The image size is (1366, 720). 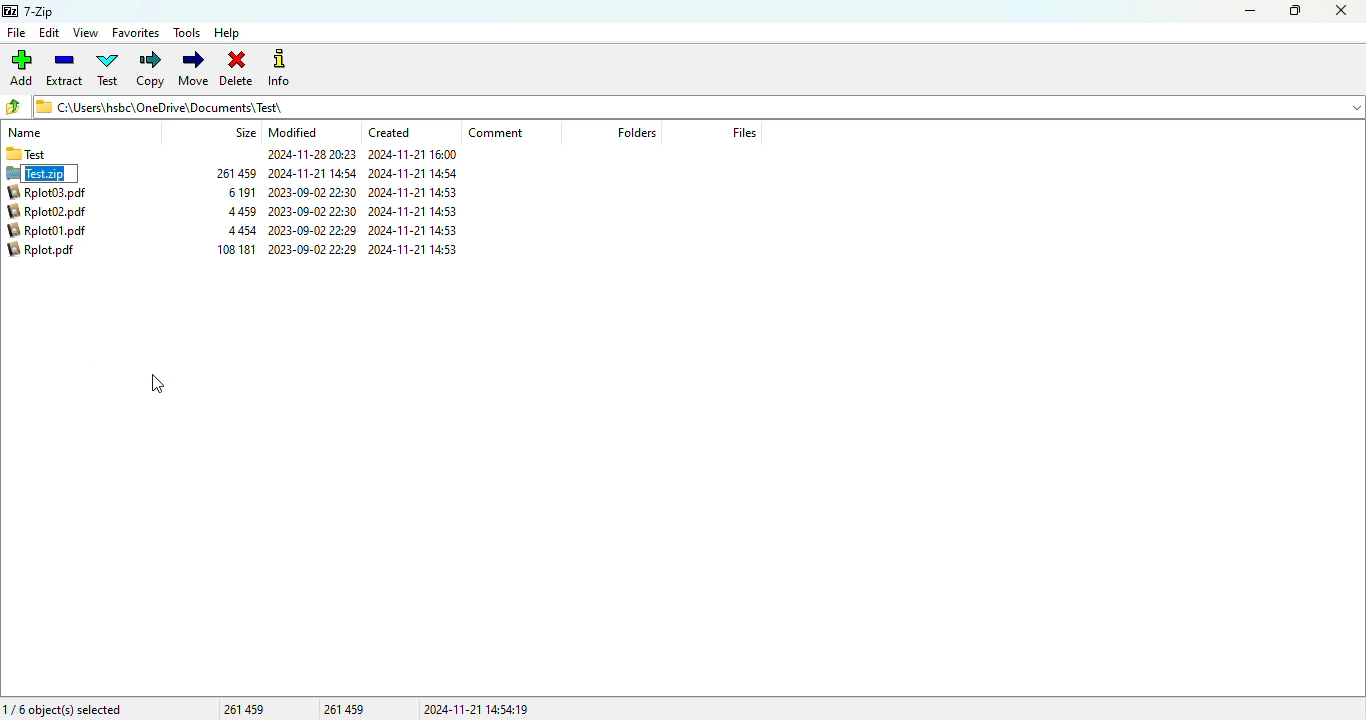 I want to click on dropdown, so click(x=1357, y=106).